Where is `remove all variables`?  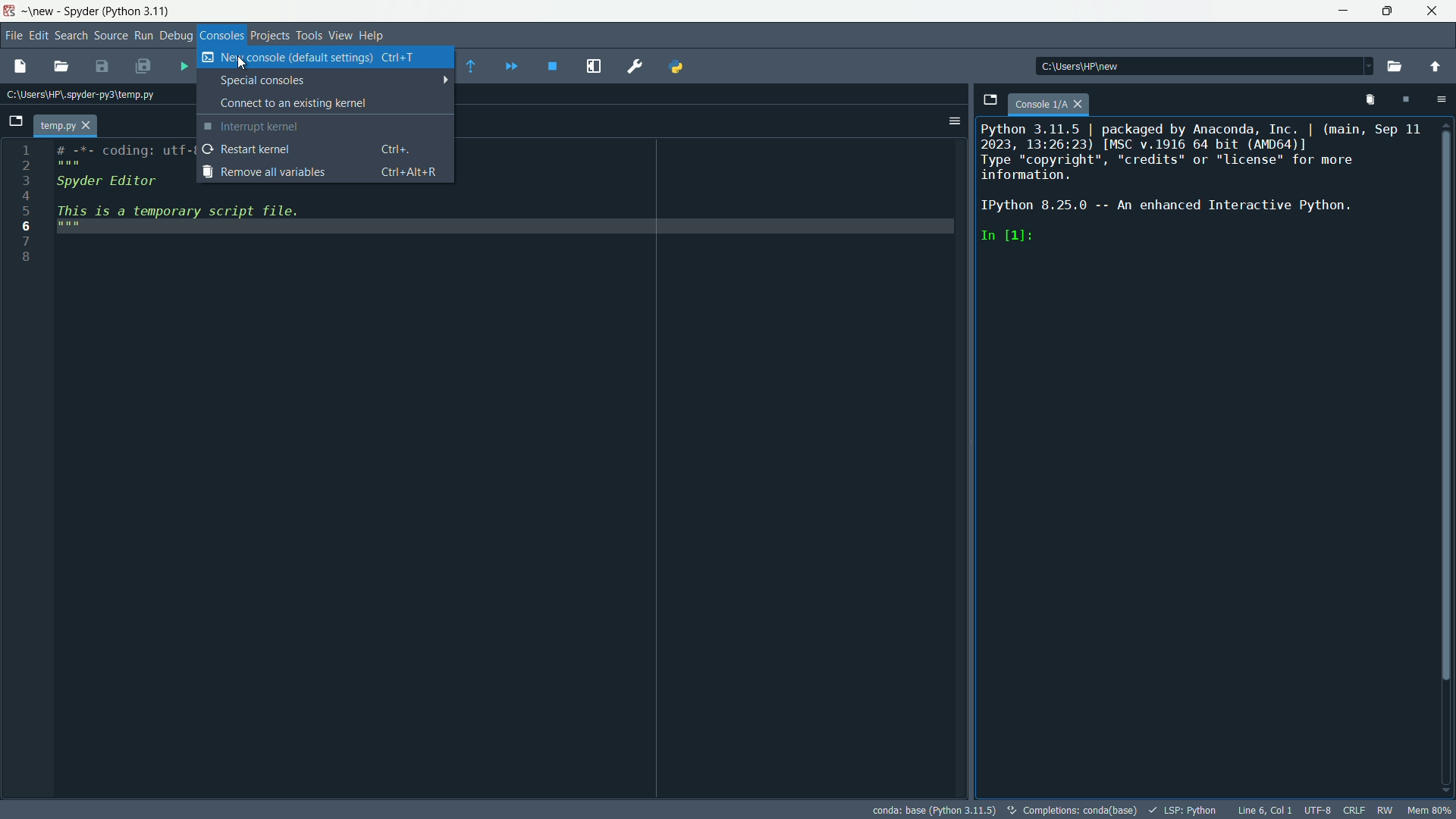
remove all variables is located at coordinates (320, 173).